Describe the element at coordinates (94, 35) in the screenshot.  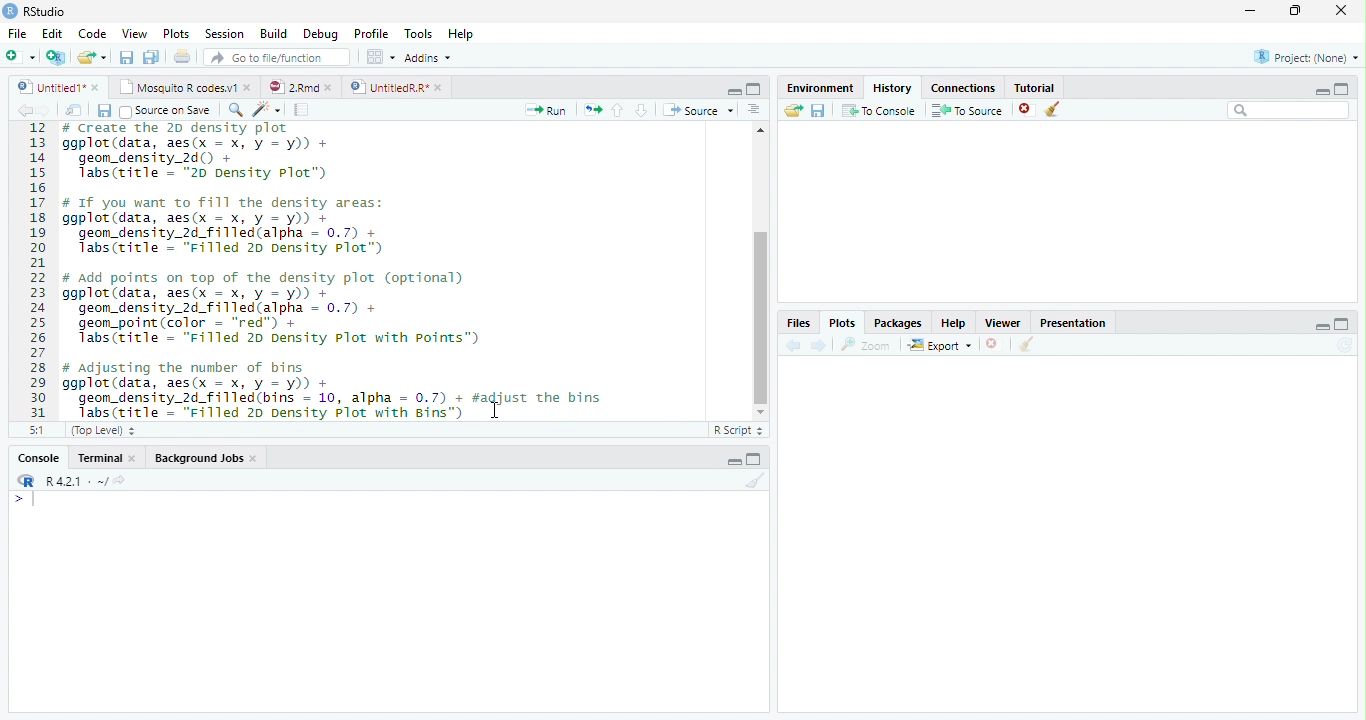
I see `Code` at that location.